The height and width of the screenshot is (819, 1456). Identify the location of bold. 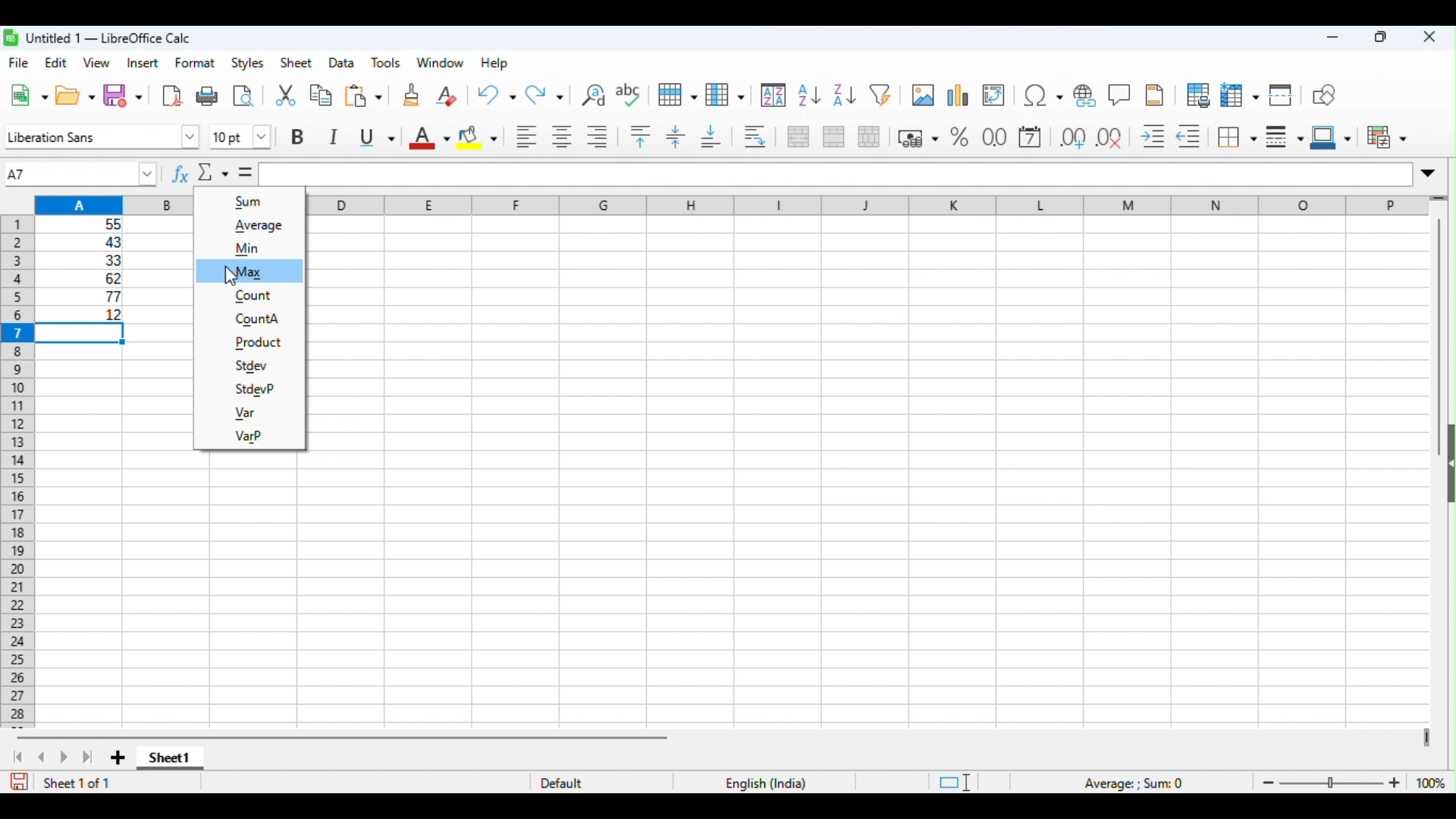
(300, 136).